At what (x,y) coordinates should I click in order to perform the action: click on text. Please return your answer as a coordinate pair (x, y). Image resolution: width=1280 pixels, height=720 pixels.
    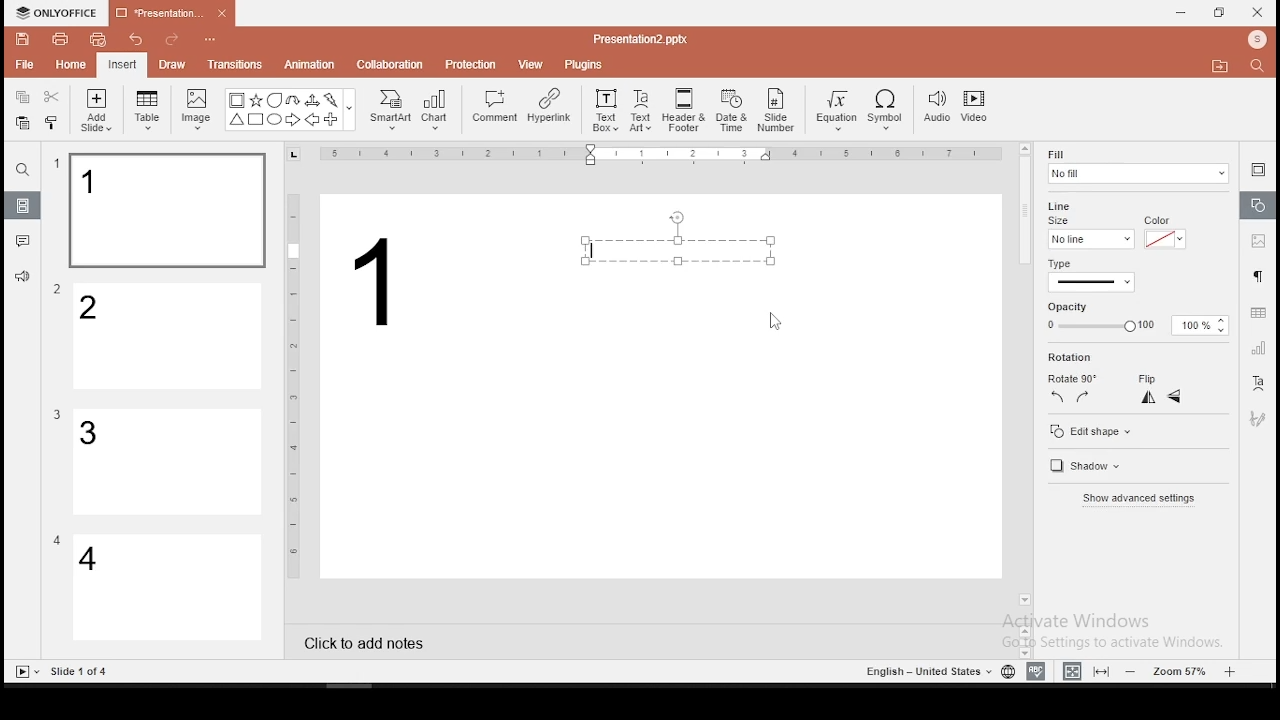
    Looking at the image, I should click on (388, 290).